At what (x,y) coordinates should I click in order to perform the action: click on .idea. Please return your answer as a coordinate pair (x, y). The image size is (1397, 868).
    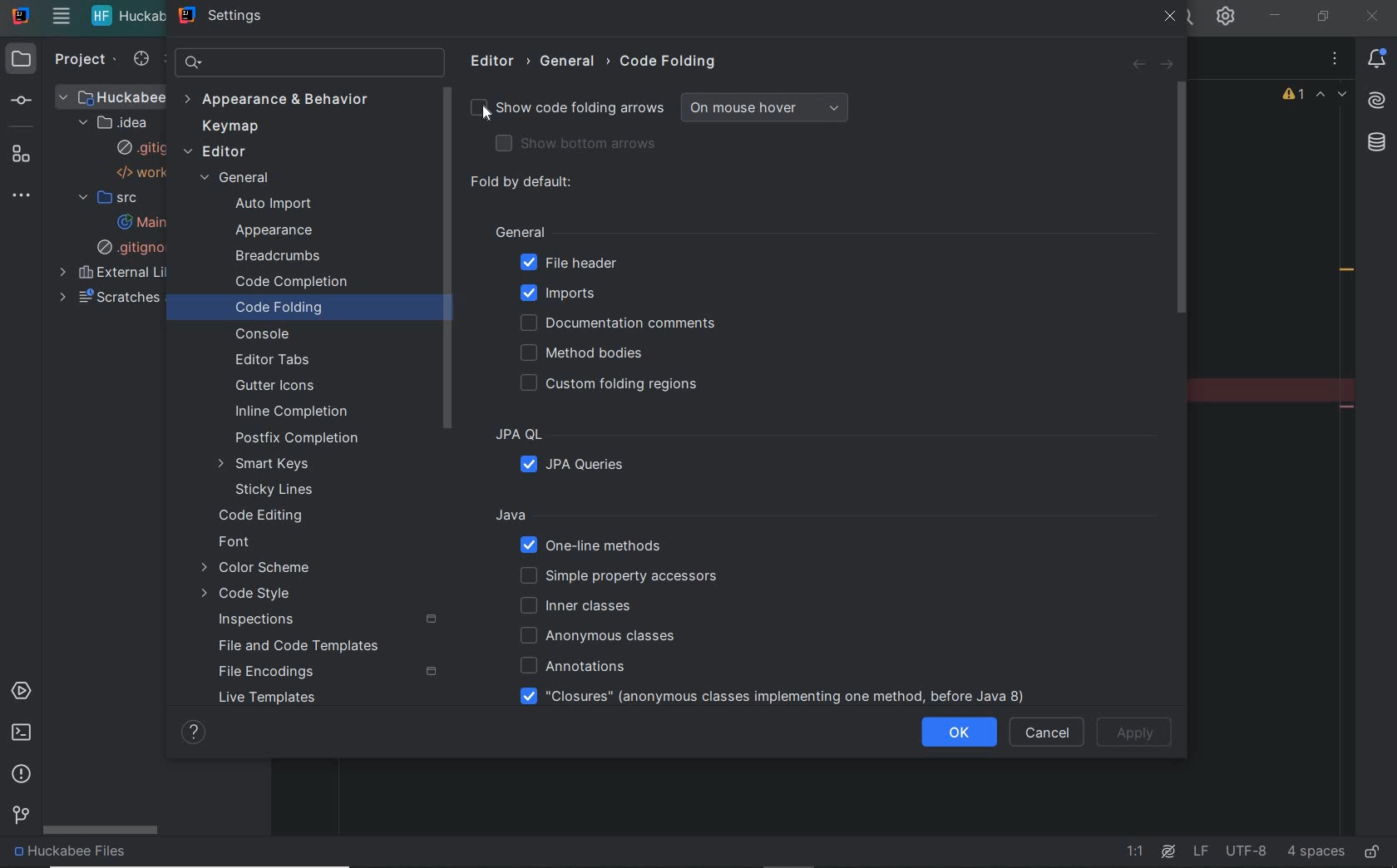
    Looking at the image, I should click on (118, 122).